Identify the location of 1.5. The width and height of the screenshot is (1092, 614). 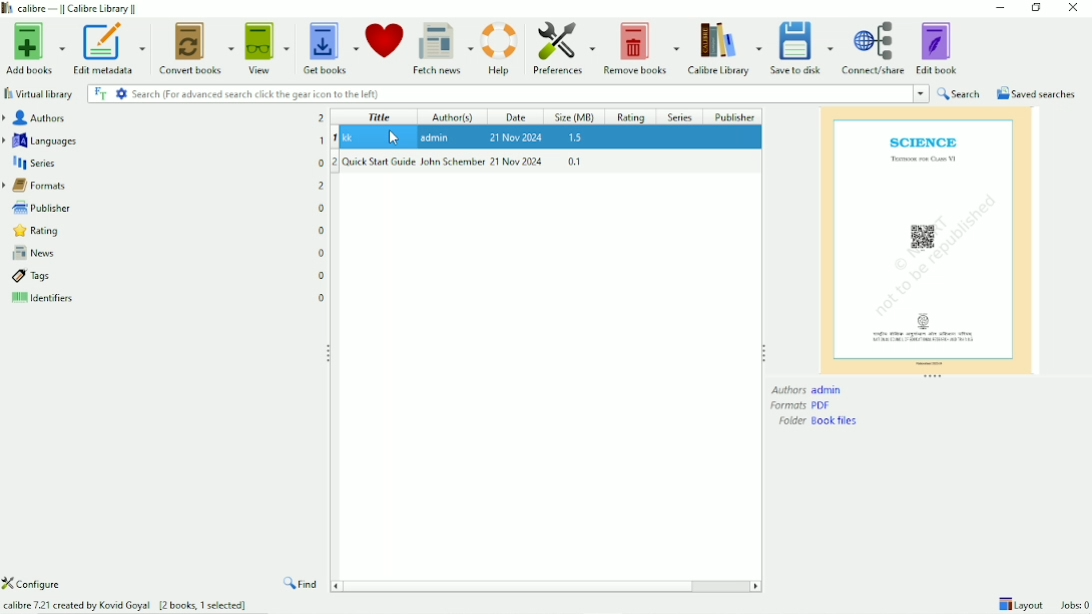
(576, 138).